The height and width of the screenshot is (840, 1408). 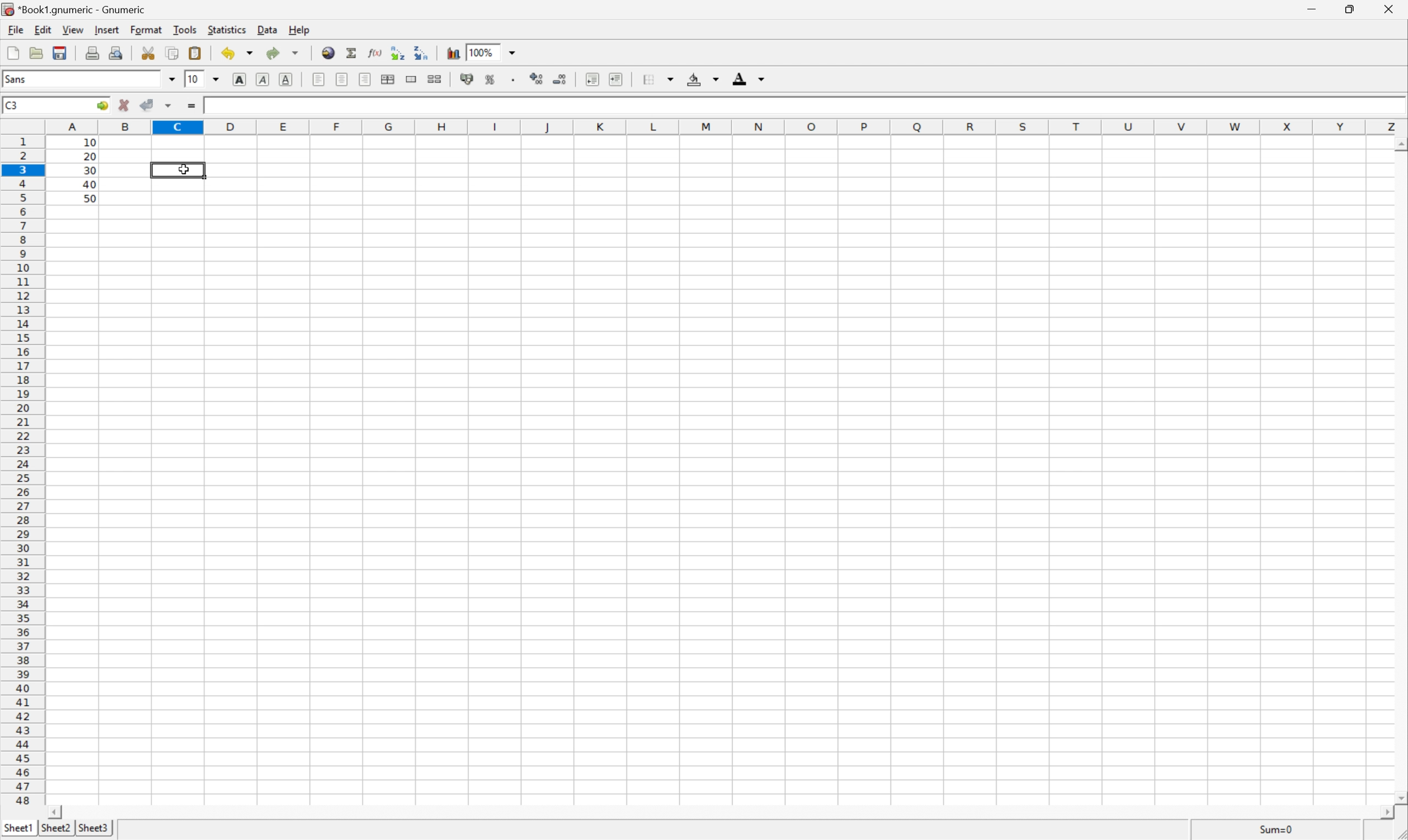 I want to click on Tools, so click(x=185, y=29).